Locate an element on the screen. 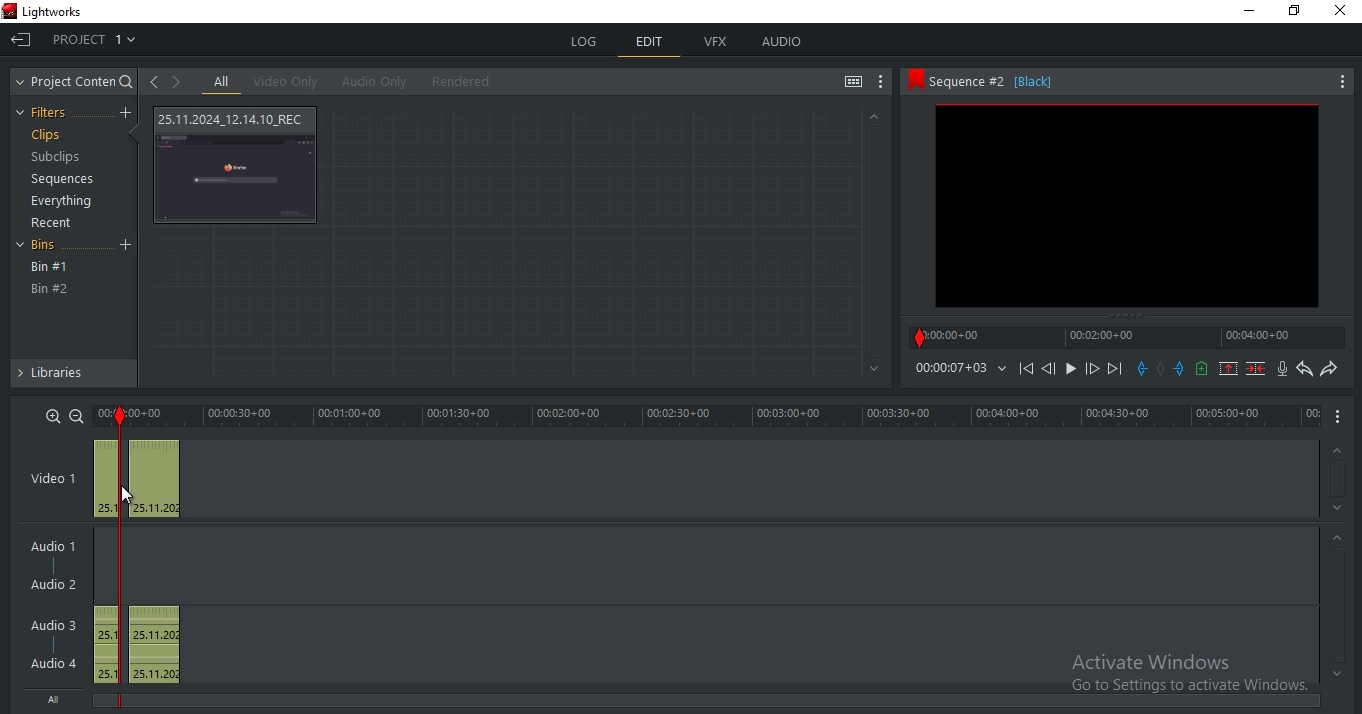 The width and height of the screenshot is (1362, 714). audio is located at coordinates (782, 43).